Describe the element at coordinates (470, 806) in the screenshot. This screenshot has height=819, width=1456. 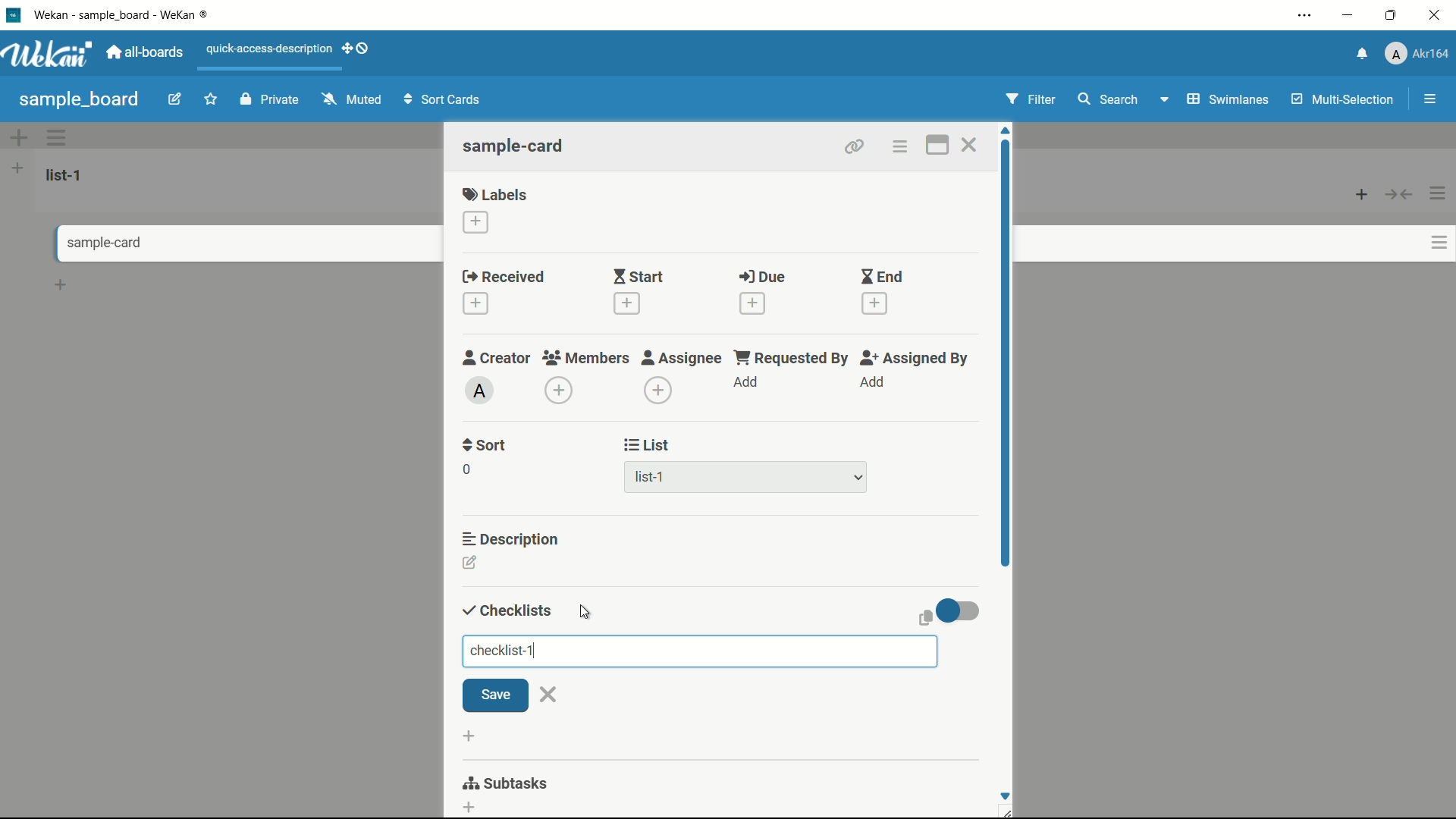
I see `add subtasks` at that location.